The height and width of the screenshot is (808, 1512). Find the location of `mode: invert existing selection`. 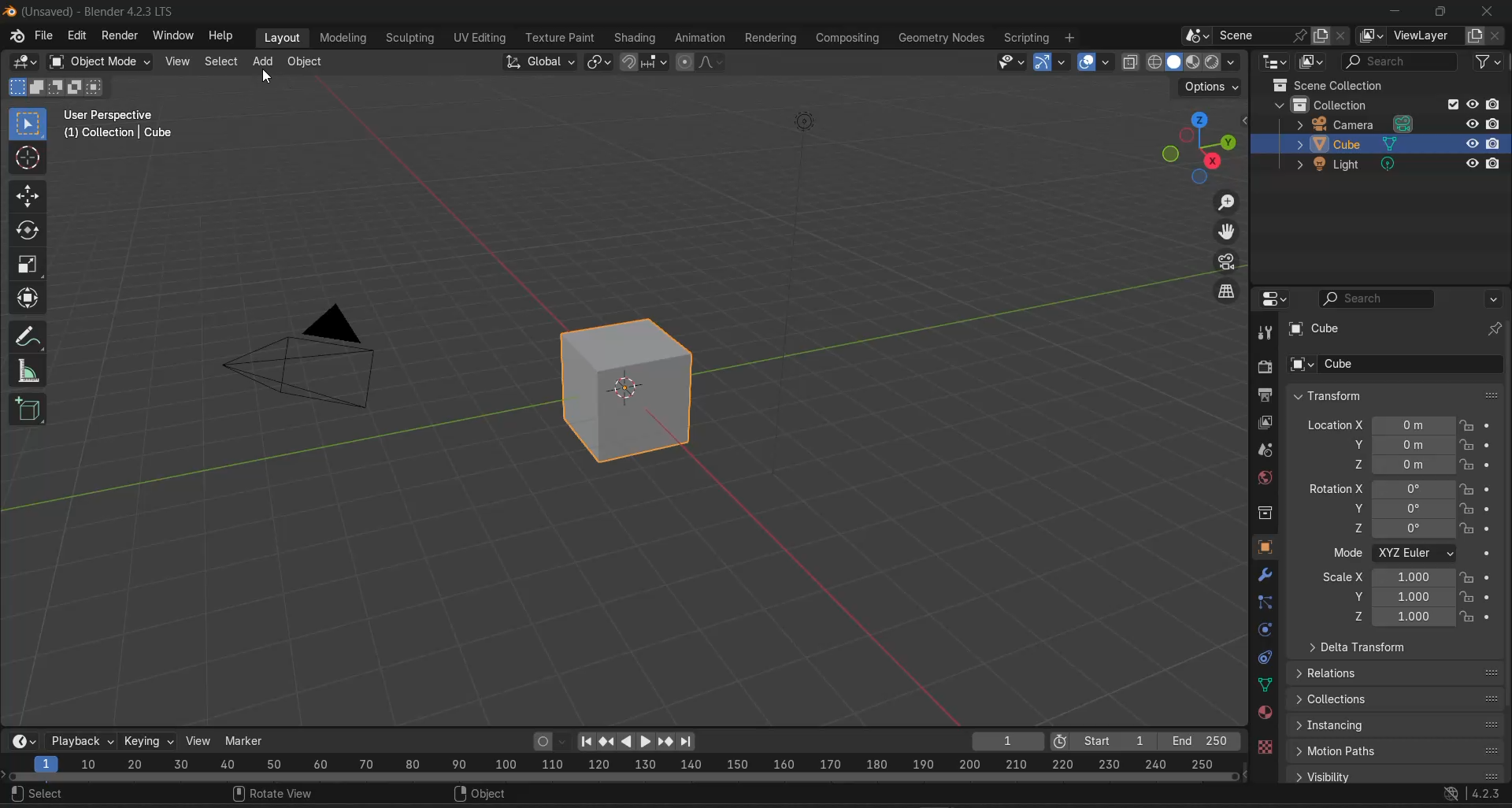

mode: invert existing selection is located at coordinates (76, 87).